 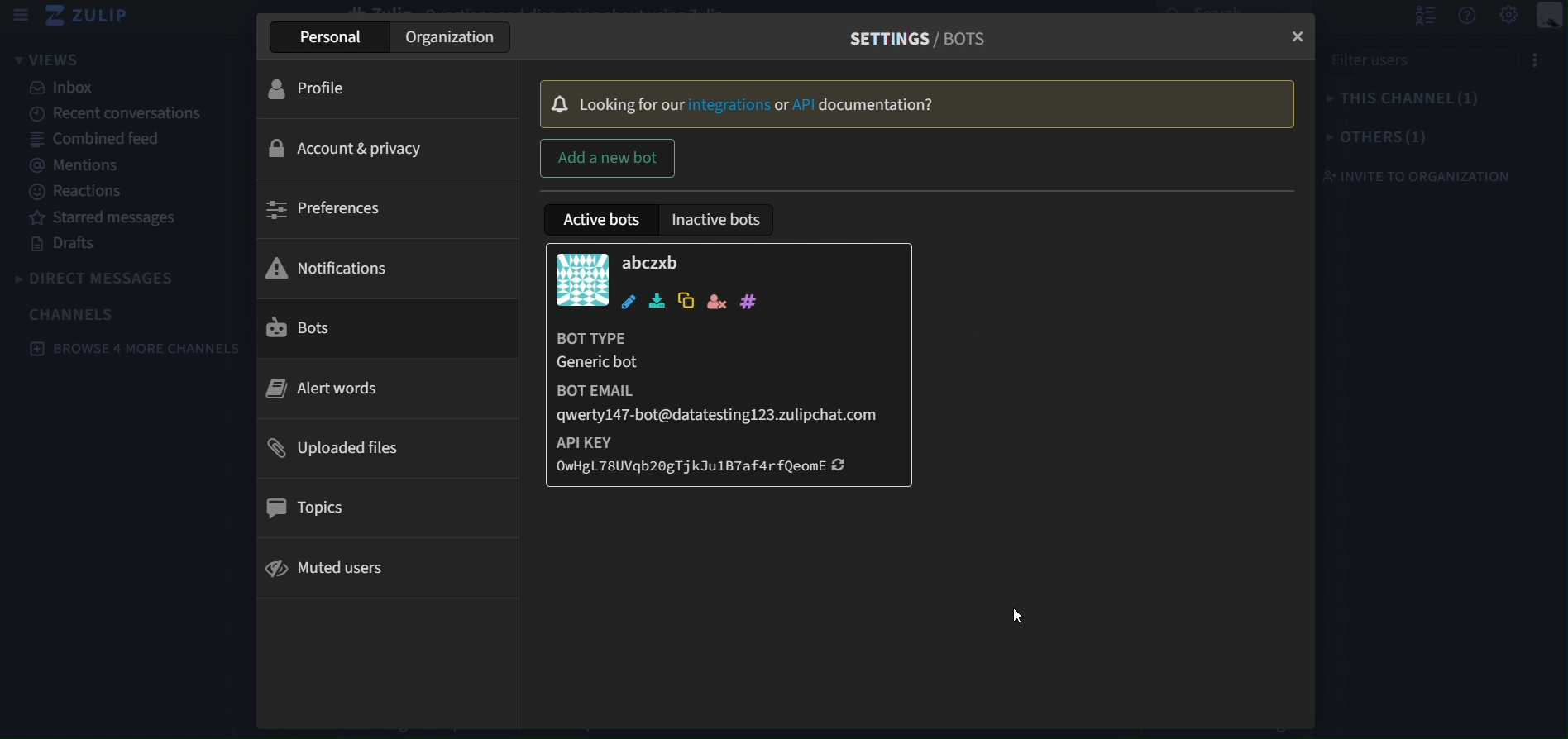 What do you see at coordinates (48, 59) in the screenshot?
I see `view` at bounding box center [48, 59].